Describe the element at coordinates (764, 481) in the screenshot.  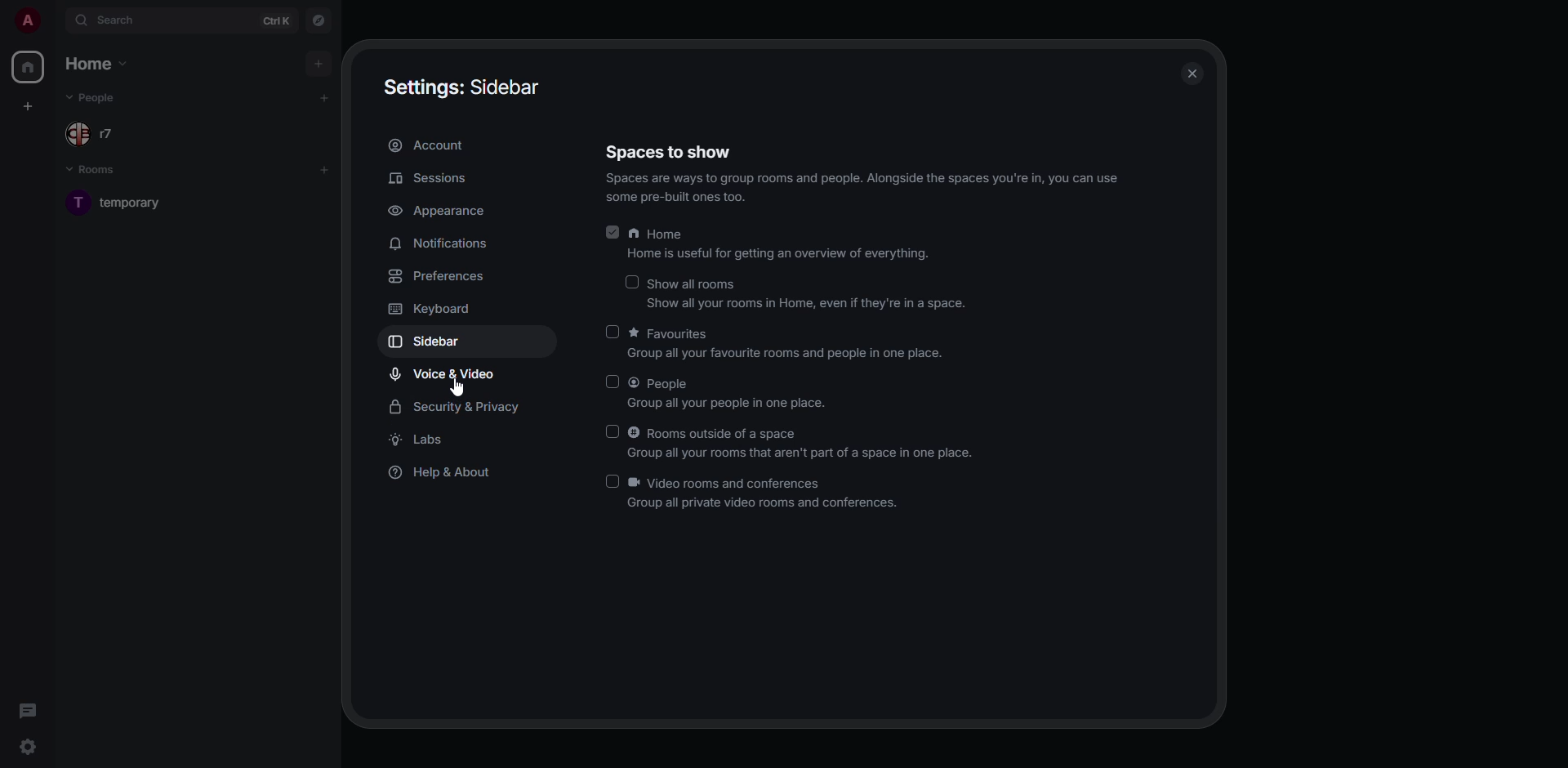
I see `video rooms and conferences` at that location.